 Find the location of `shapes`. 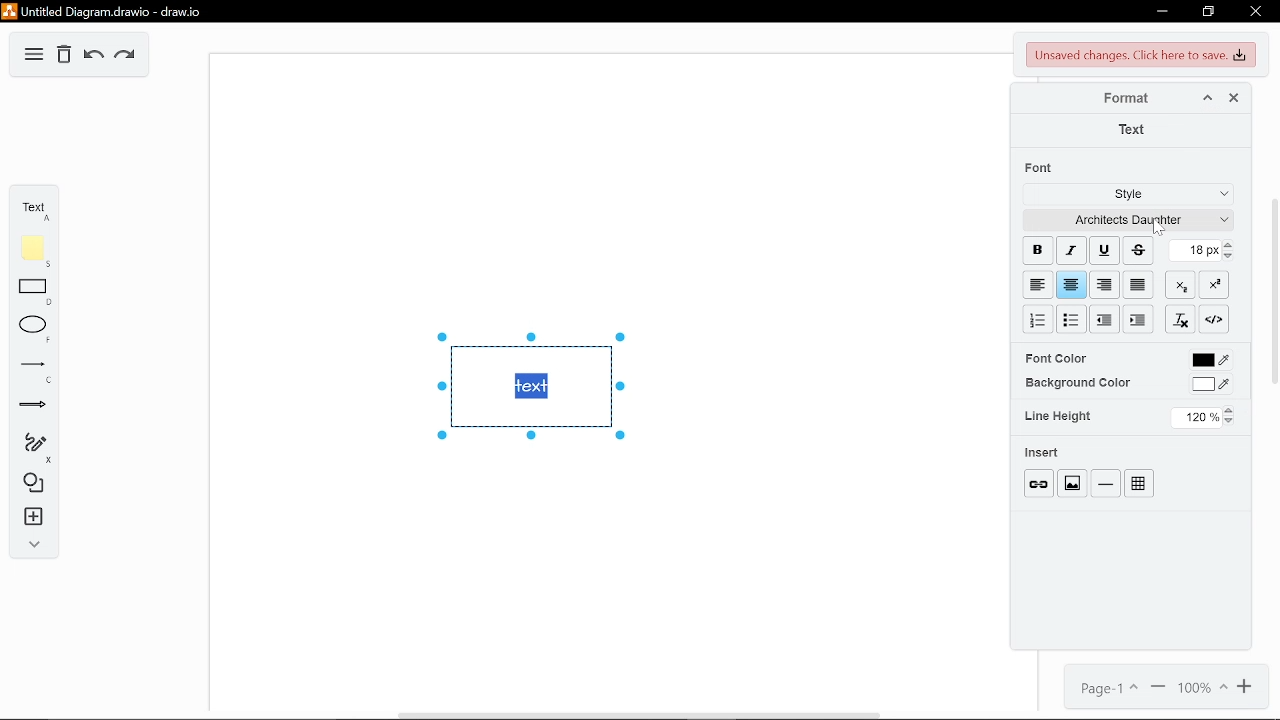

shapes is located at coordinates (29, 484).